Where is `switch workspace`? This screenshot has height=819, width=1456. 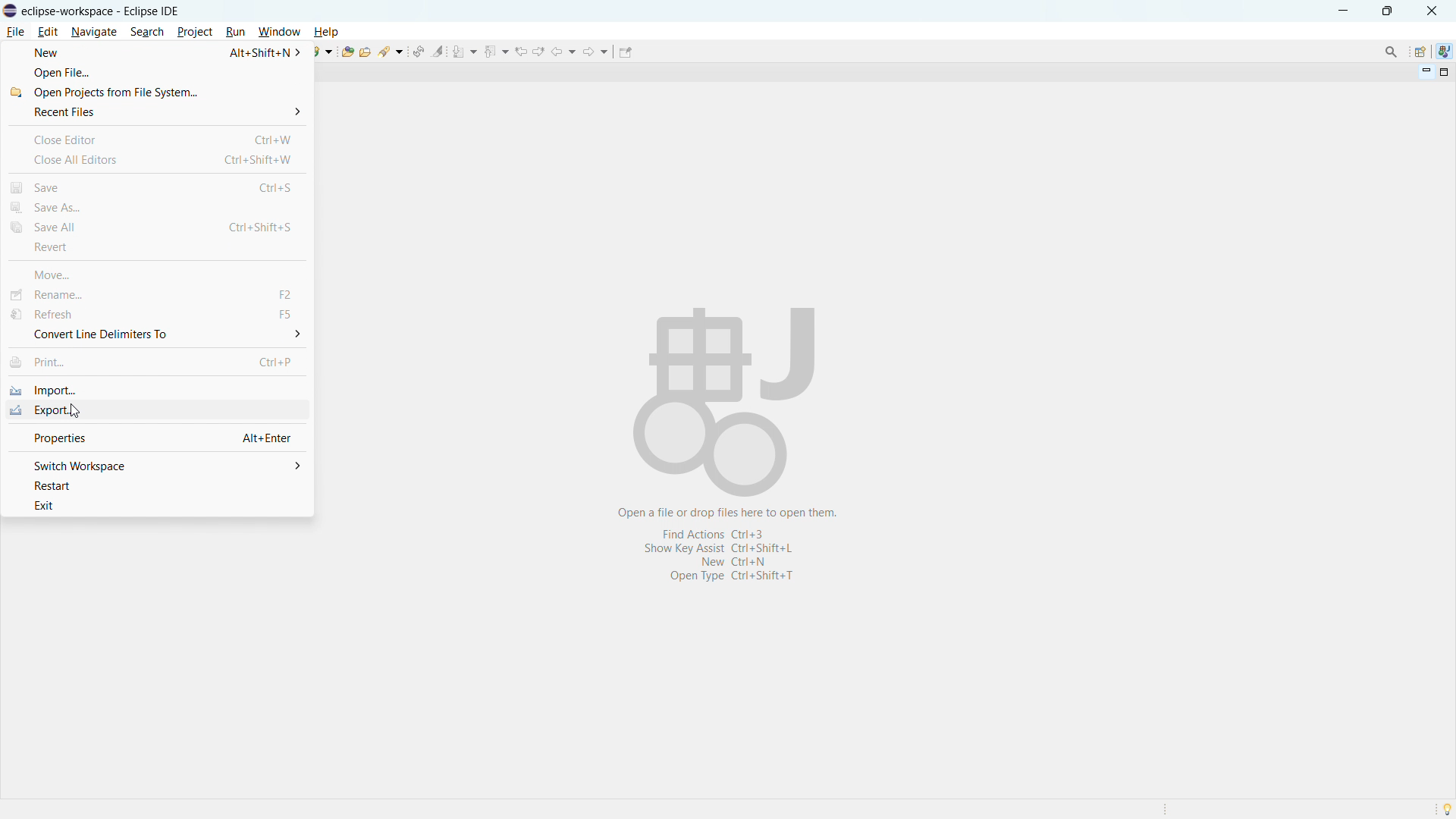
switch workspace is located at coordinates (157, 464).